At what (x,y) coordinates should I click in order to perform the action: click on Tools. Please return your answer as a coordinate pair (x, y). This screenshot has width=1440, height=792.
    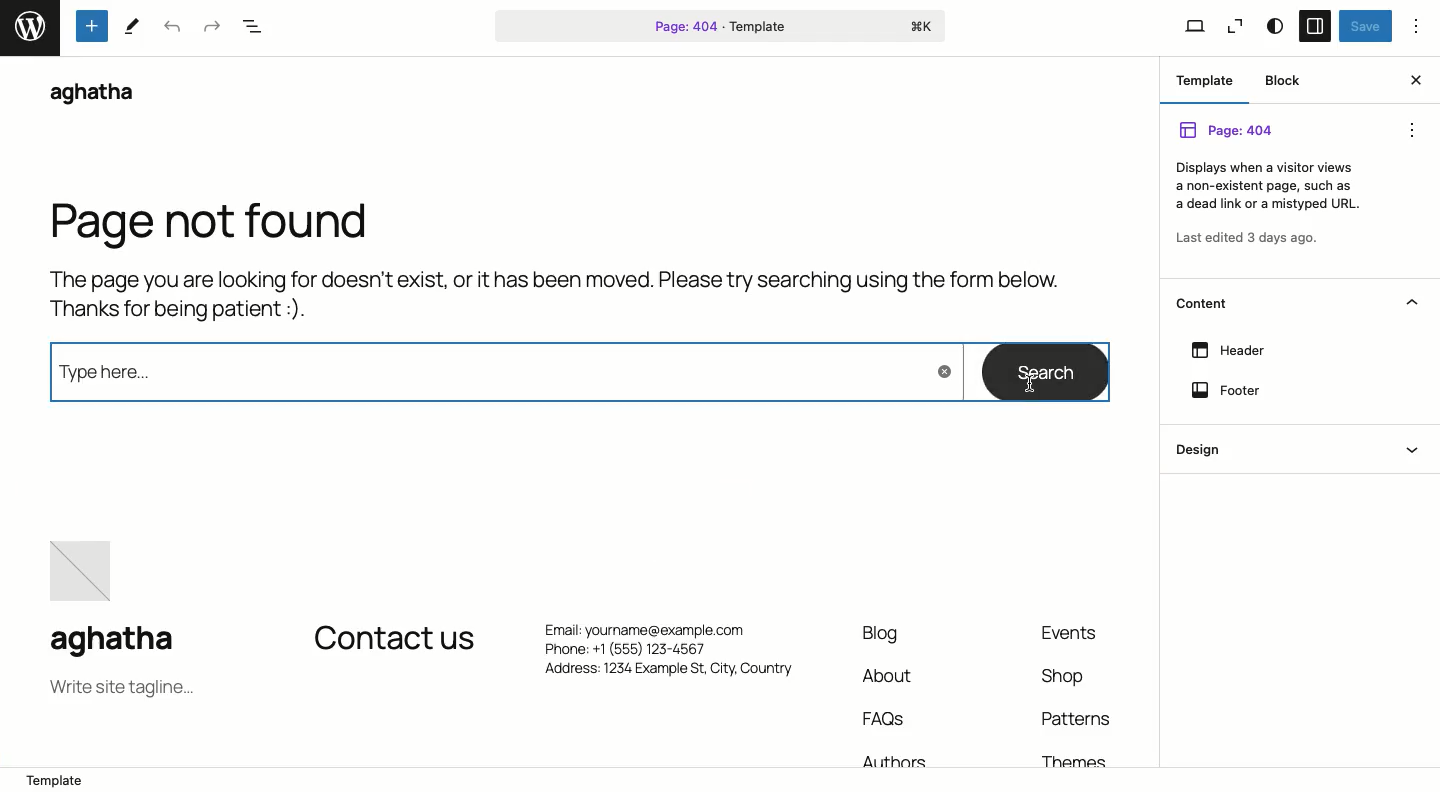
    Looking at the image, I should click on (93, 25).